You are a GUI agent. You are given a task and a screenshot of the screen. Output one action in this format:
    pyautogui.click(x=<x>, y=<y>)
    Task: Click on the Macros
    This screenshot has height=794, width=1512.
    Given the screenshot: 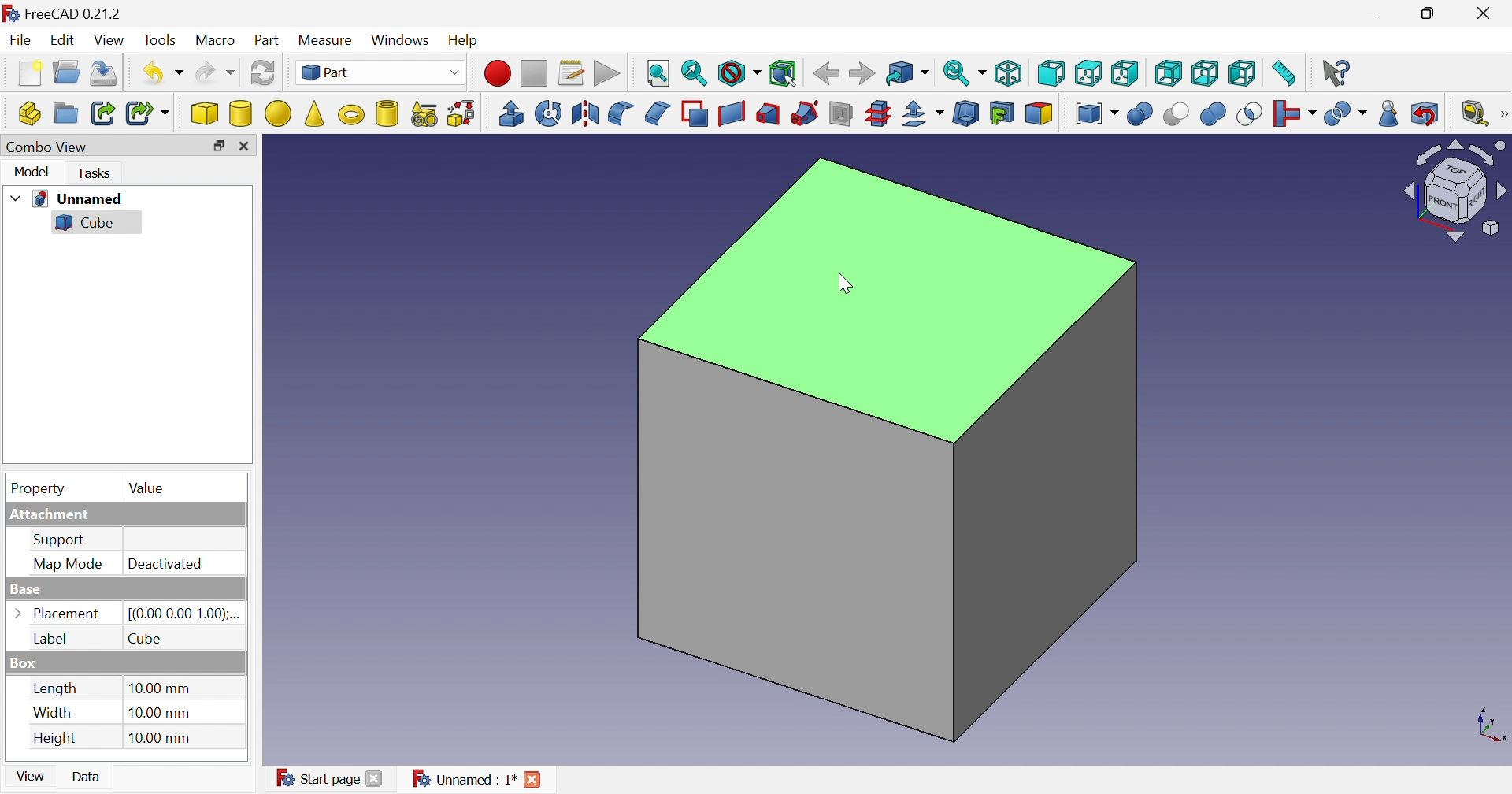 What is the action you would take?
    pyautogui.click(x=573, y=74)
    